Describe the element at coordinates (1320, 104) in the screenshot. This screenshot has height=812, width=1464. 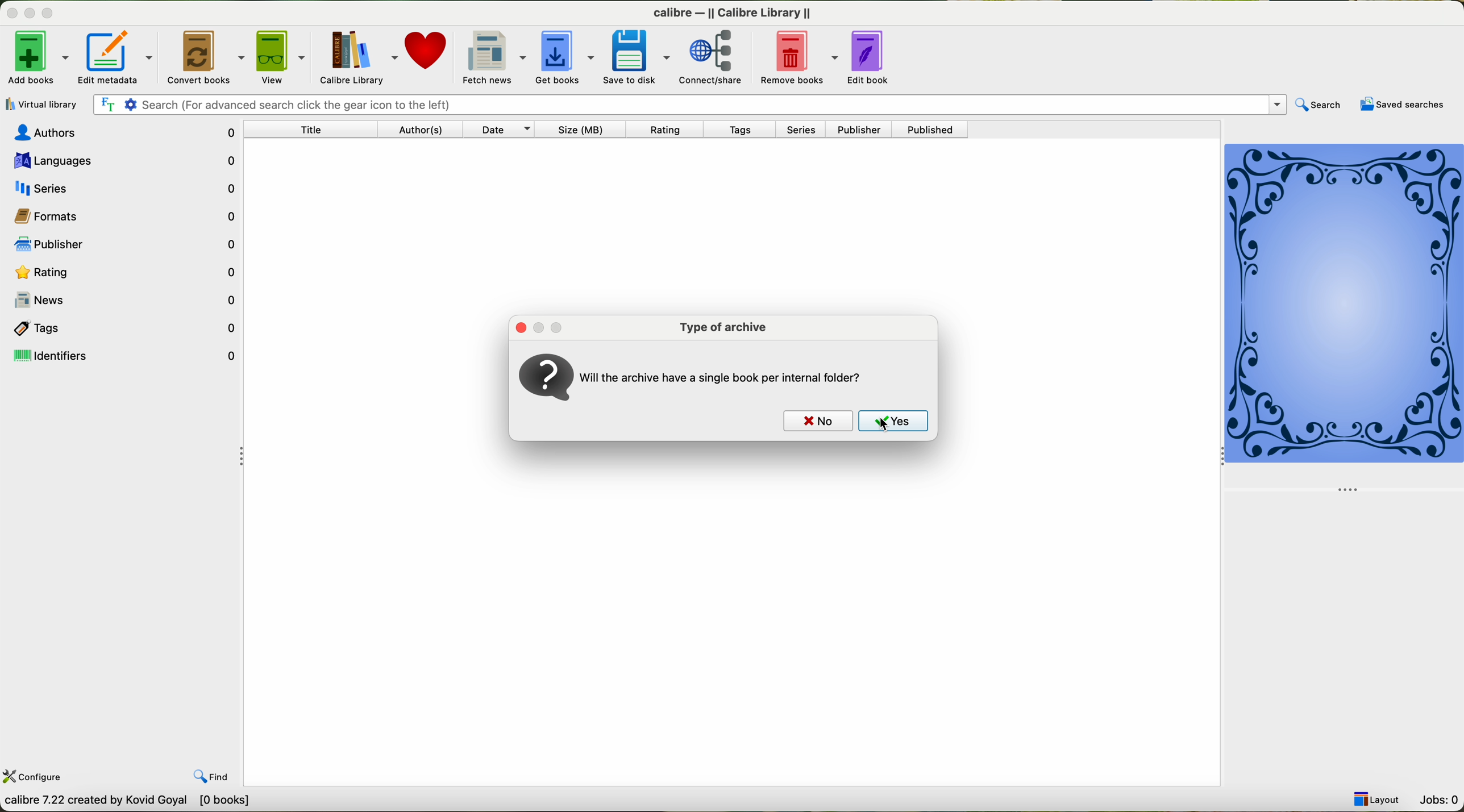
I see `search` at that location.